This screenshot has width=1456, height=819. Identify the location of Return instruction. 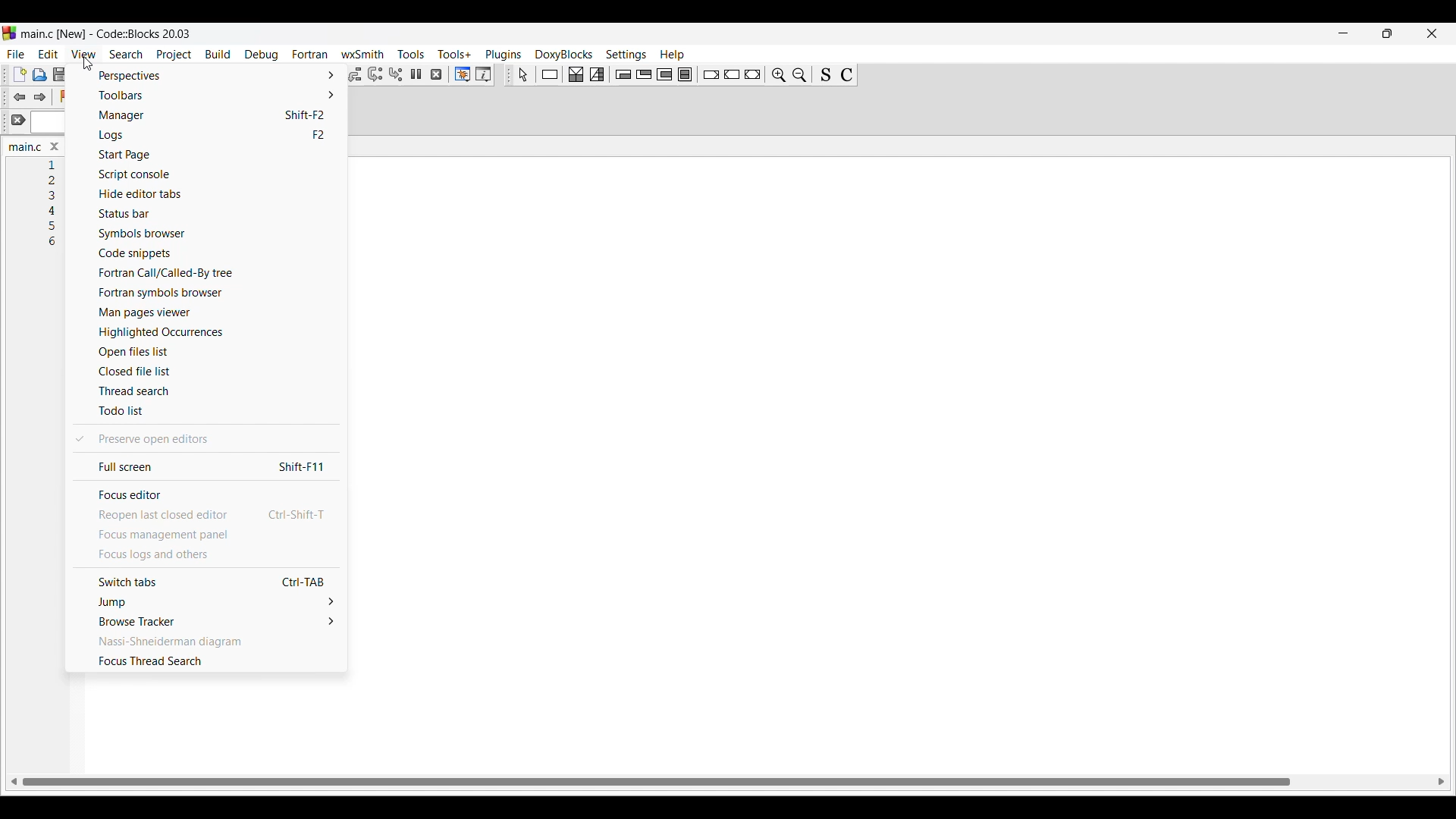
(752, 74).